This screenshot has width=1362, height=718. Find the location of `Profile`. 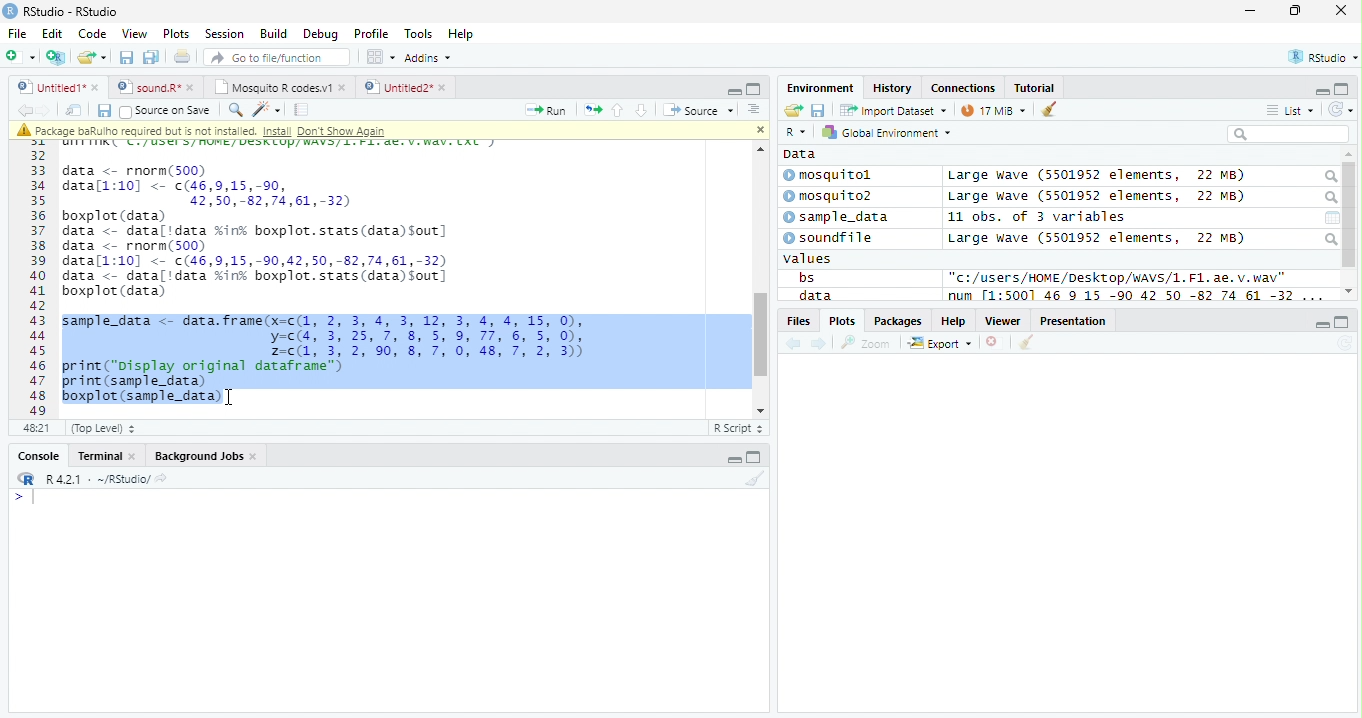

Profile is located at coordinates (371, 33).